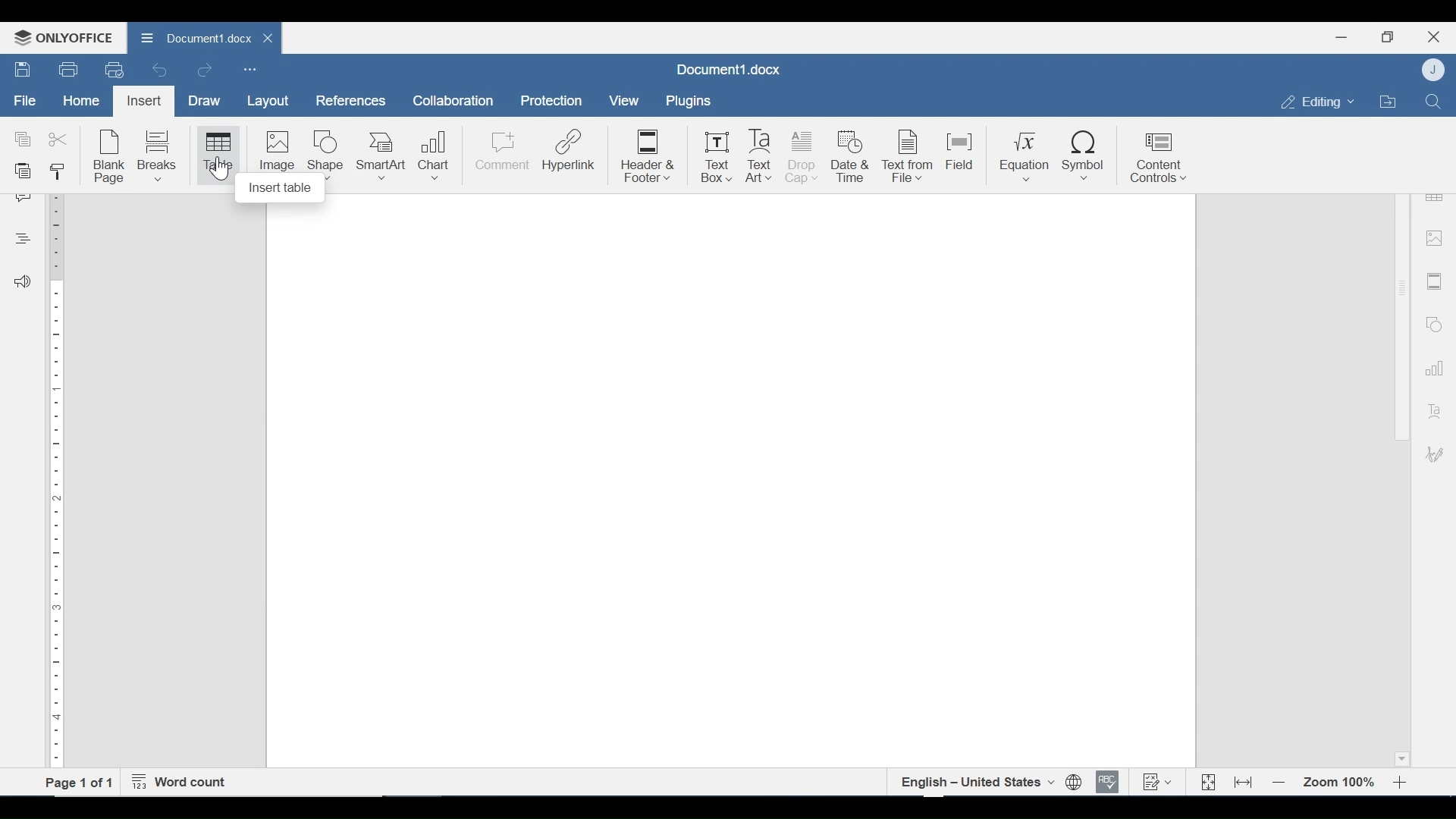 The image size is (1456, 819). I want to click on OnlyOffice, so click(61, 37).